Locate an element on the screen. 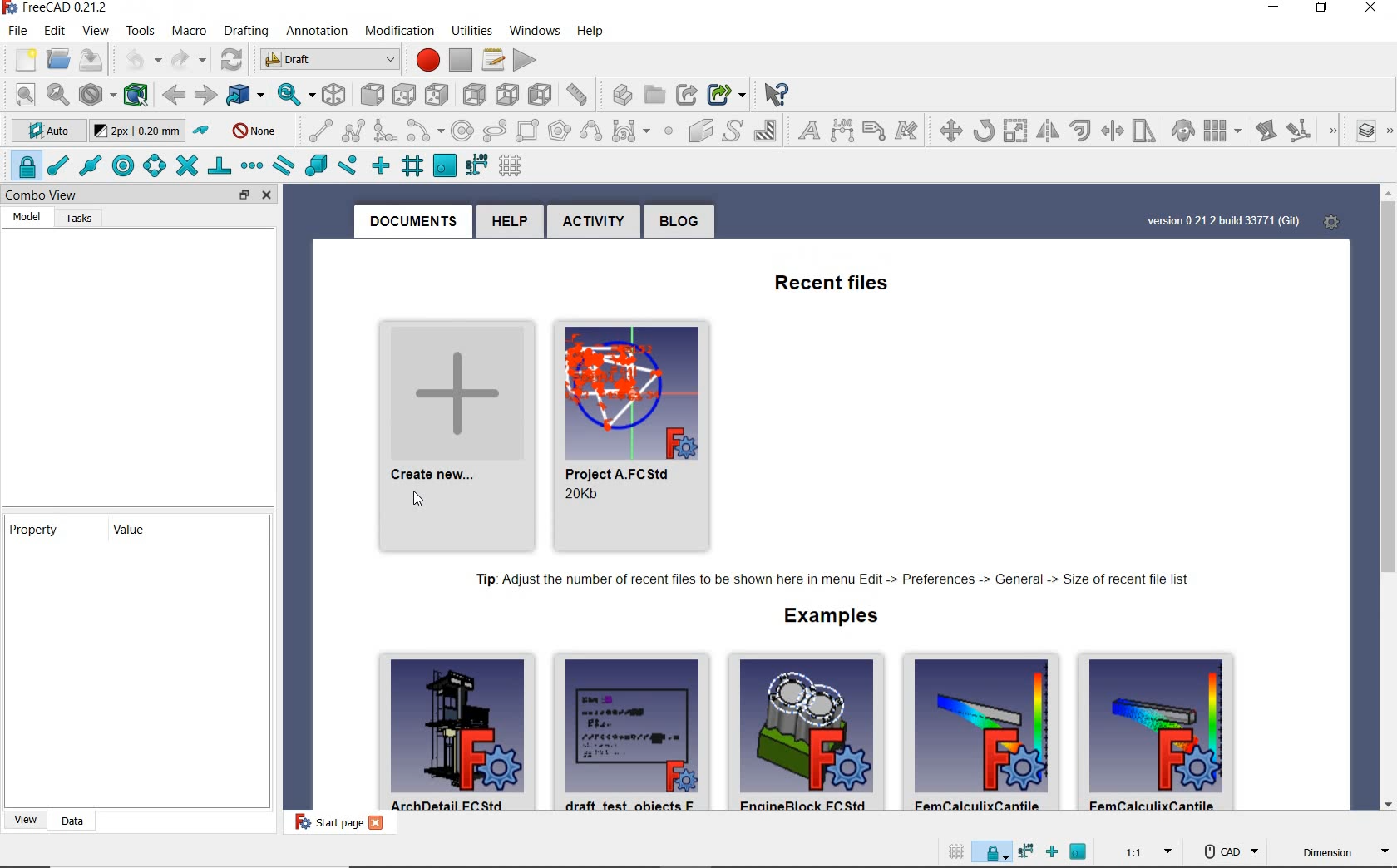 The height and width of the screenshot is (868, 1397). current working plane: Auto is located at coordinates (43, 131).